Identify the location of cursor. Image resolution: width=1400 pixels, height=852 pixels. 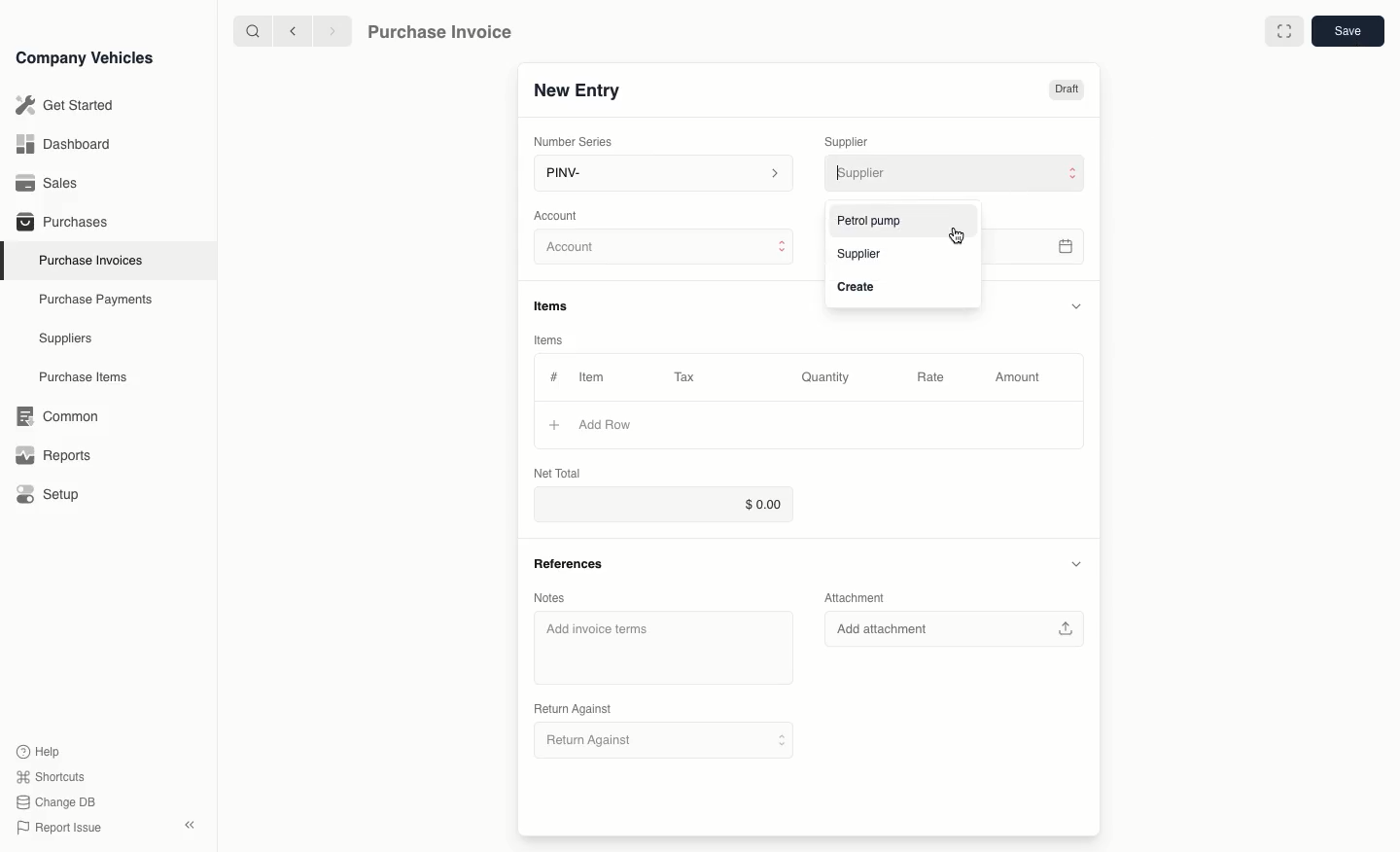
(959, 238).